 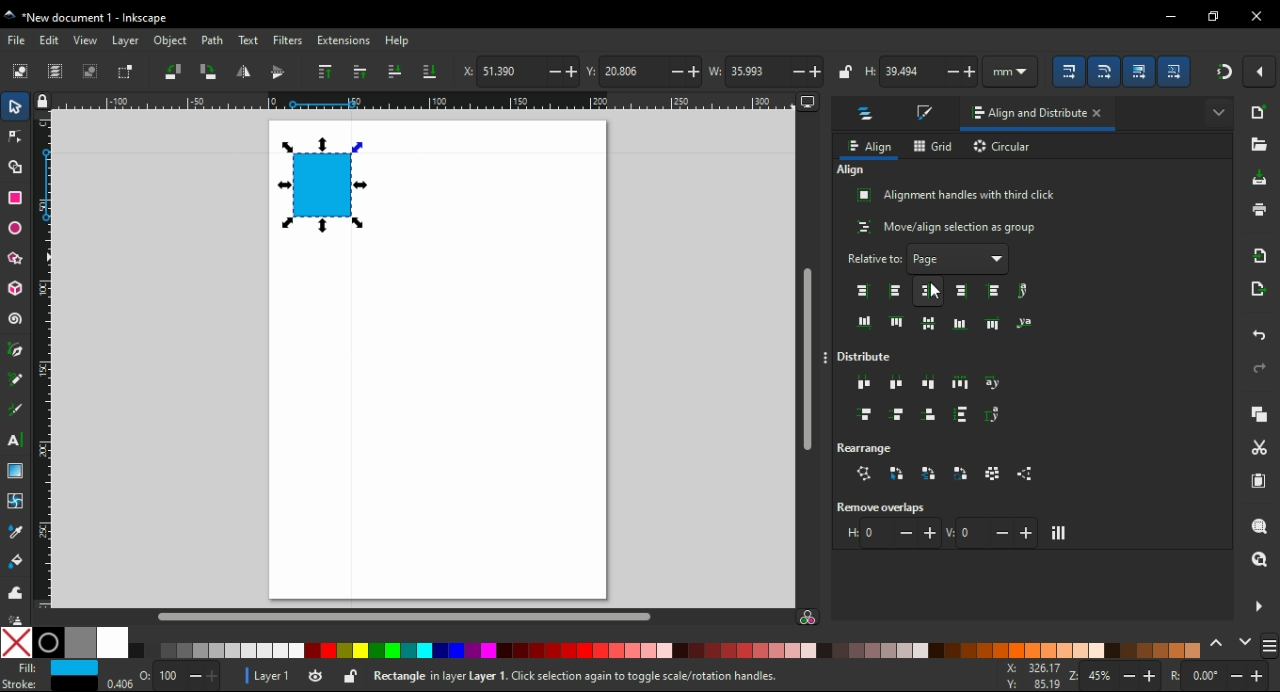 I want to click on options, so click(x=828, y=359).